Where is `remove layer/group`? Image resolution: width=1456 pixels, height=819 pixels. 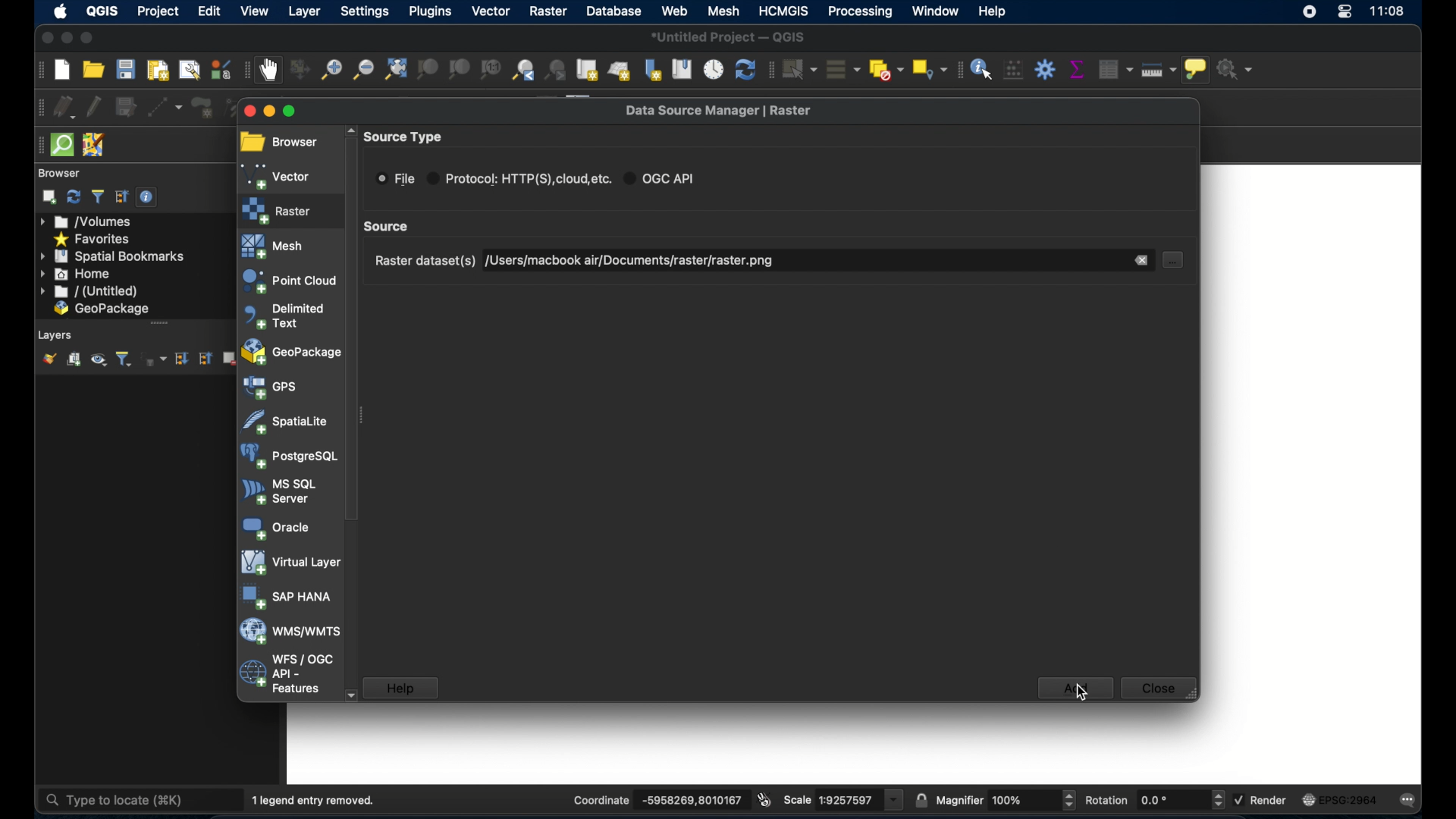 remove layer/group is located at coordinates (229, 358).